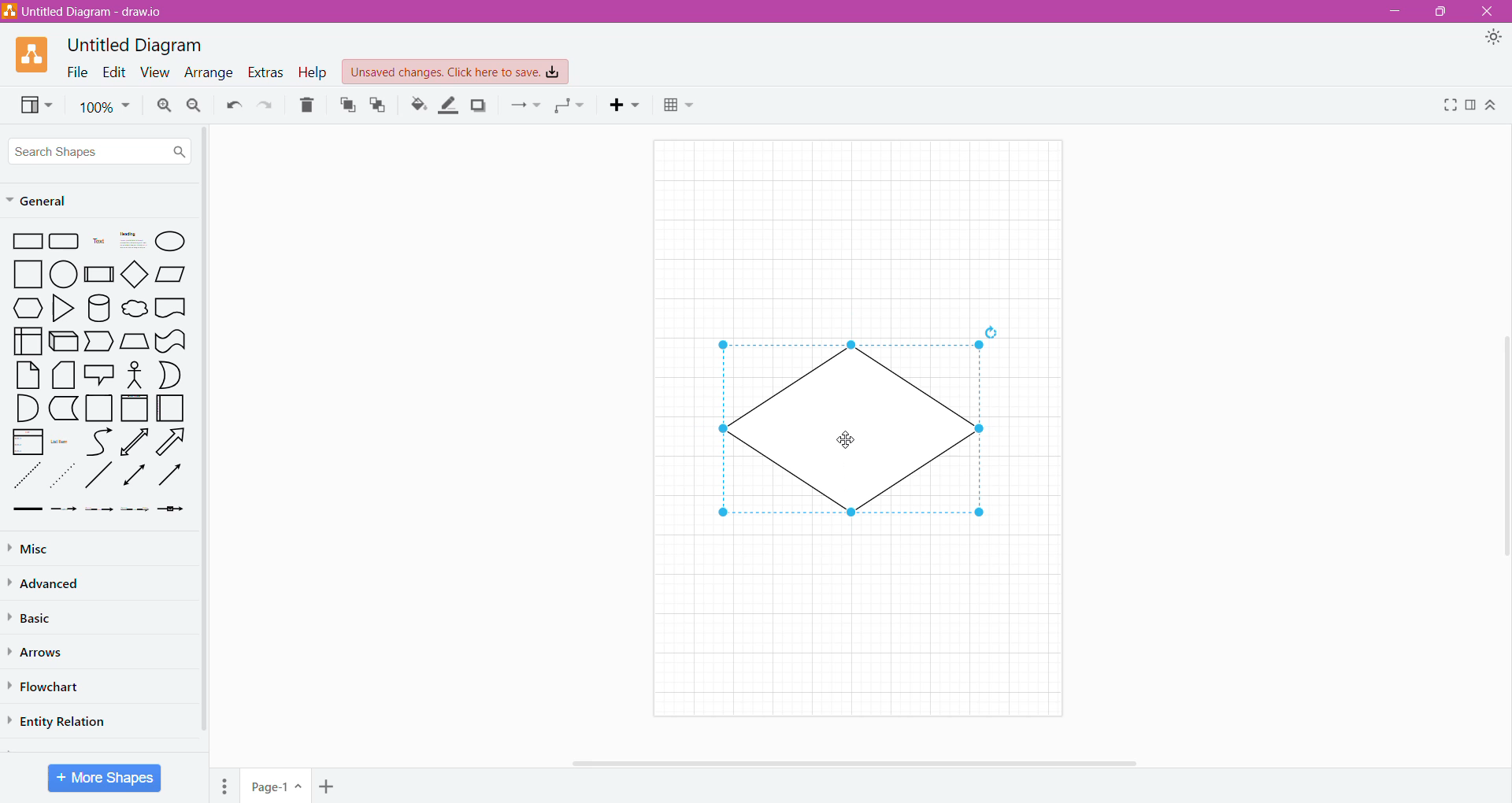 The image size is (1512, 803). I want to click on Ellipse, so click(171, 241).